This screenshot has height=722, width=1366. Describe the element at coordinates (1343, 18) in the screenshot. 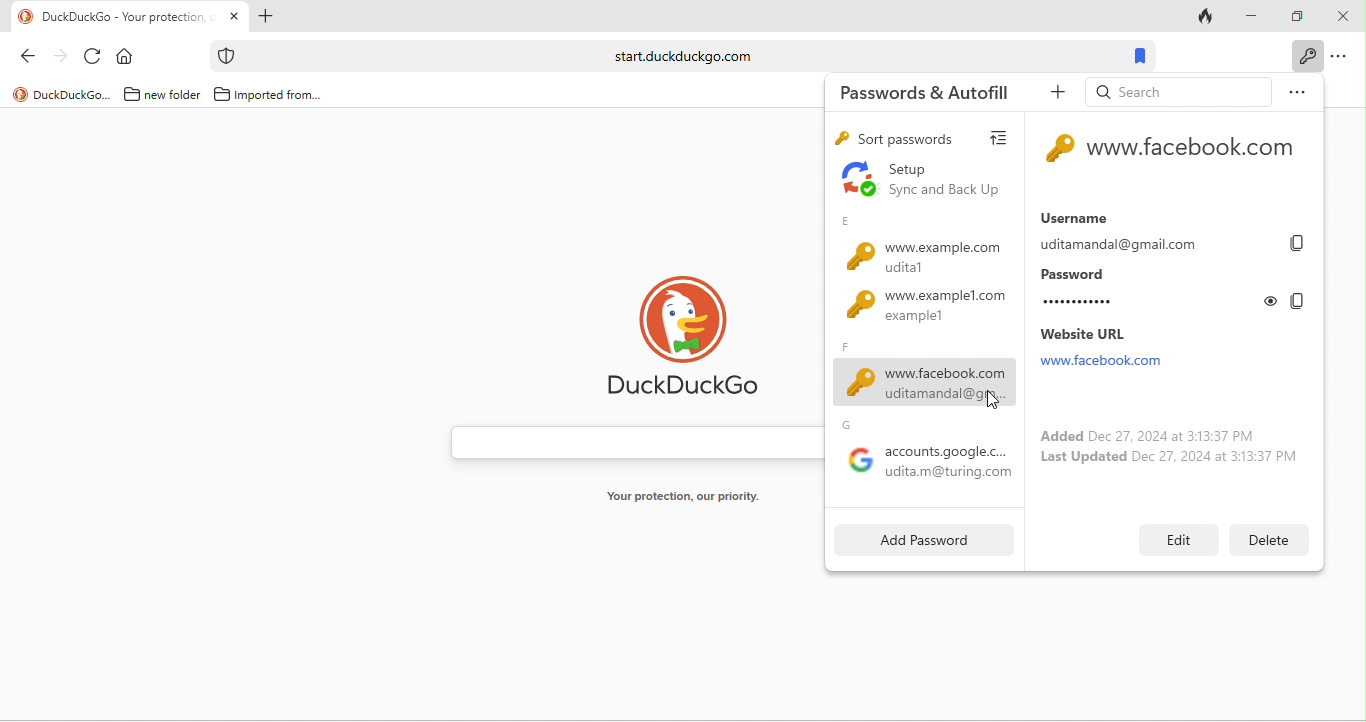

I see `close` at that location.